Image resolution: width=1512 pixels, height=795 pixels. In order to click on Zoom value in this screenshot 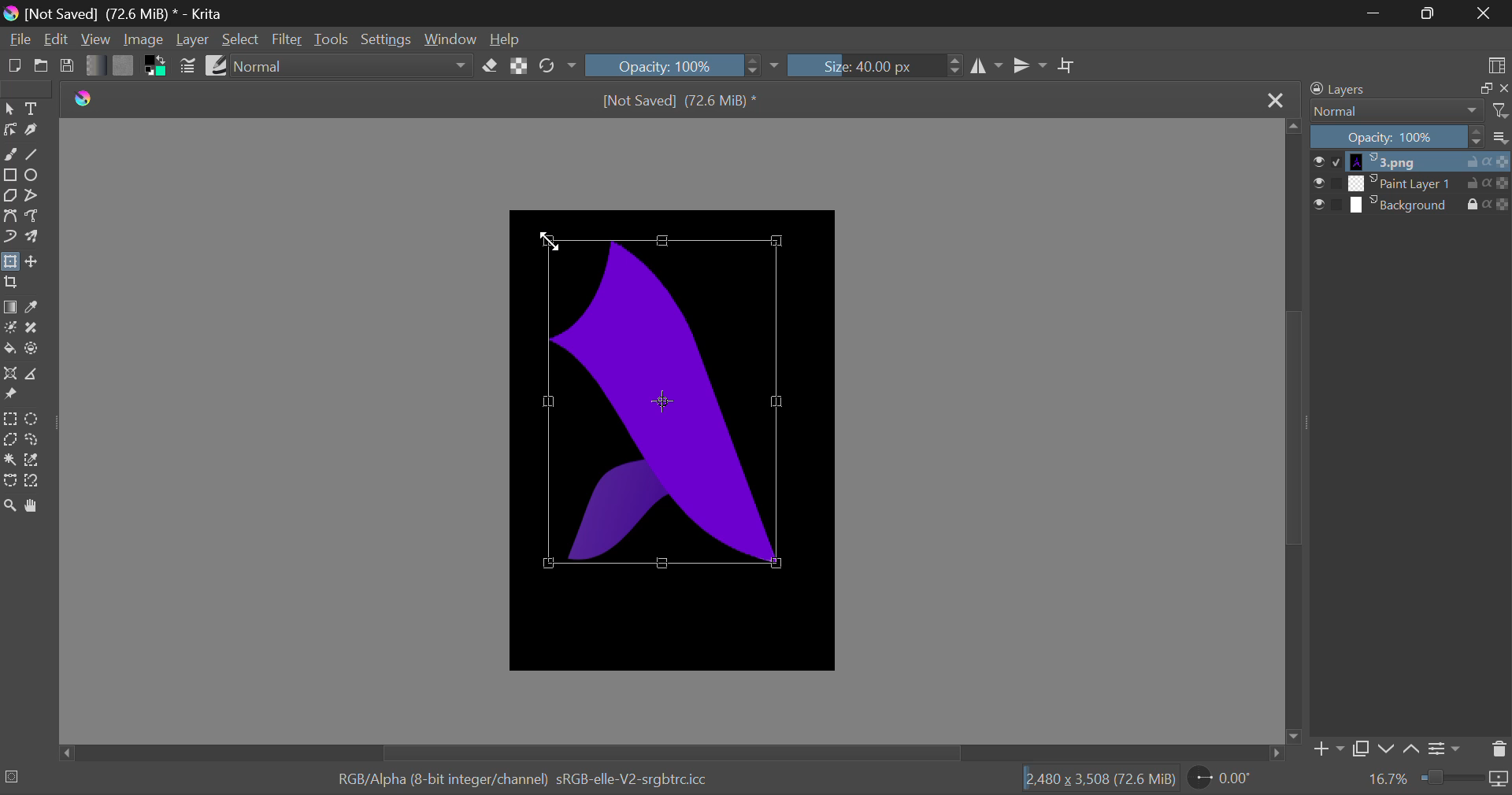, I will do `click(1388, 778)`.